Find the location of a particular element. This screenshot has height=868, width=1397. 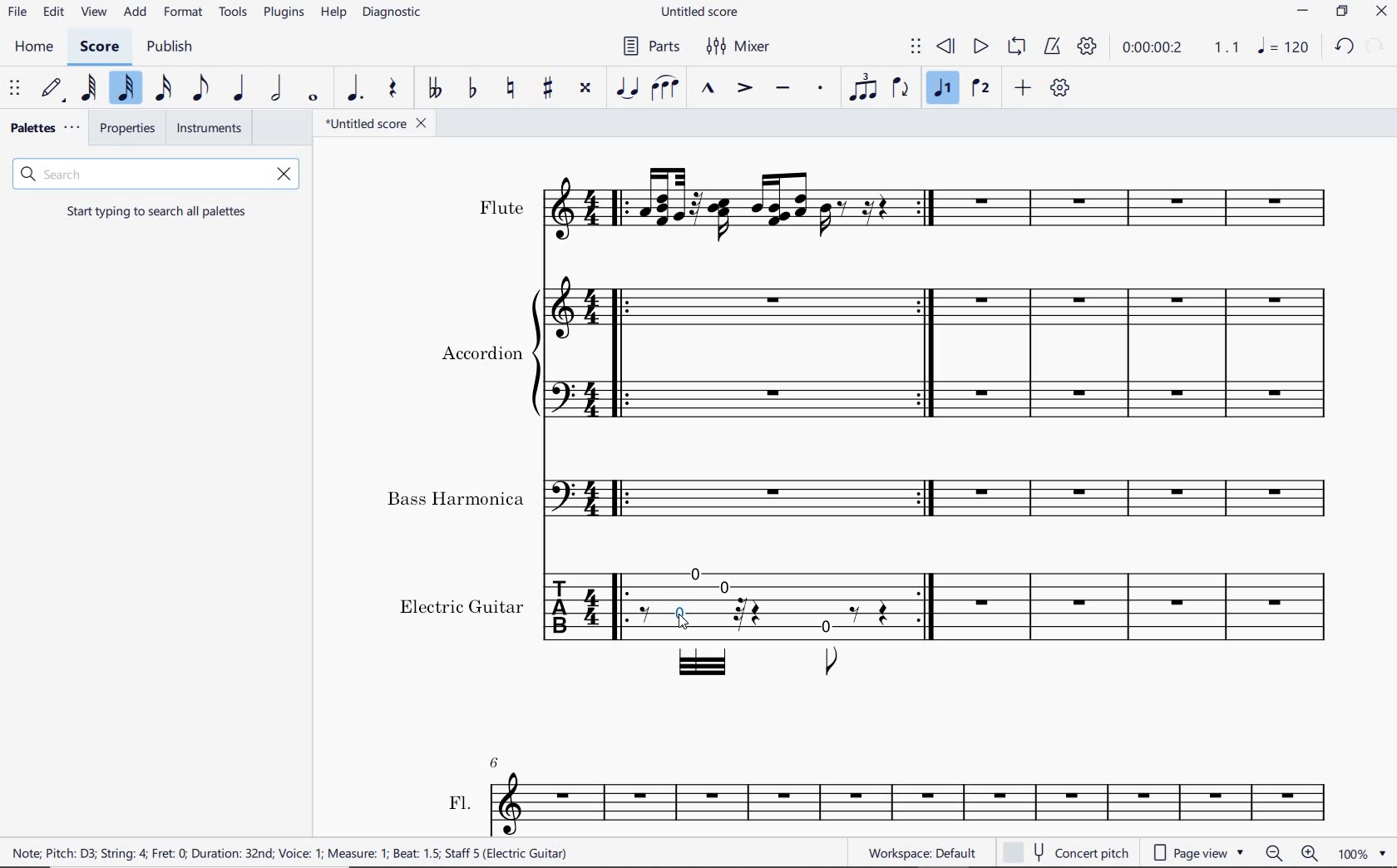

instruments is located at coordinates (208, 131).